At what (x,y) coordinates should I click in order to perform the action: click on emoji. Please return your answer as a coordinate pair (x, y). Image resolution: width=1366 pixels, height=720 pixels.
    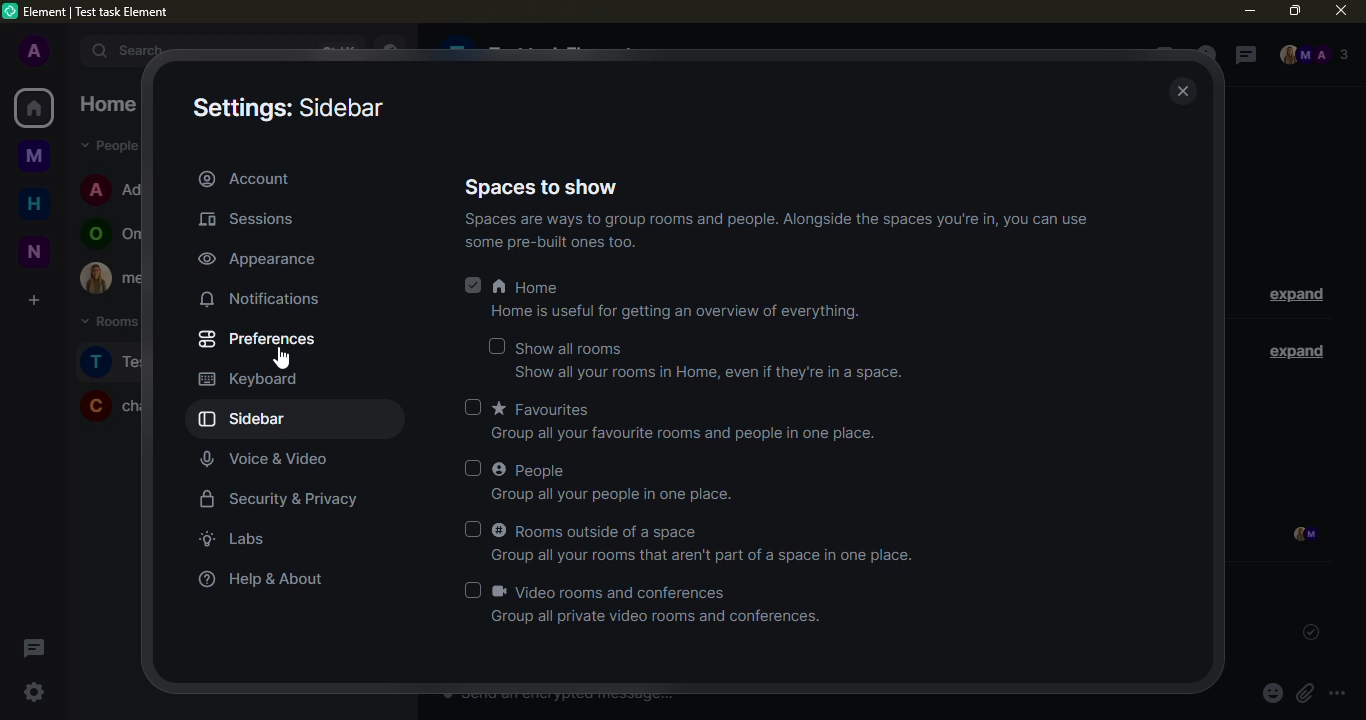
    Looking at the image, I should click on (1272, 694).